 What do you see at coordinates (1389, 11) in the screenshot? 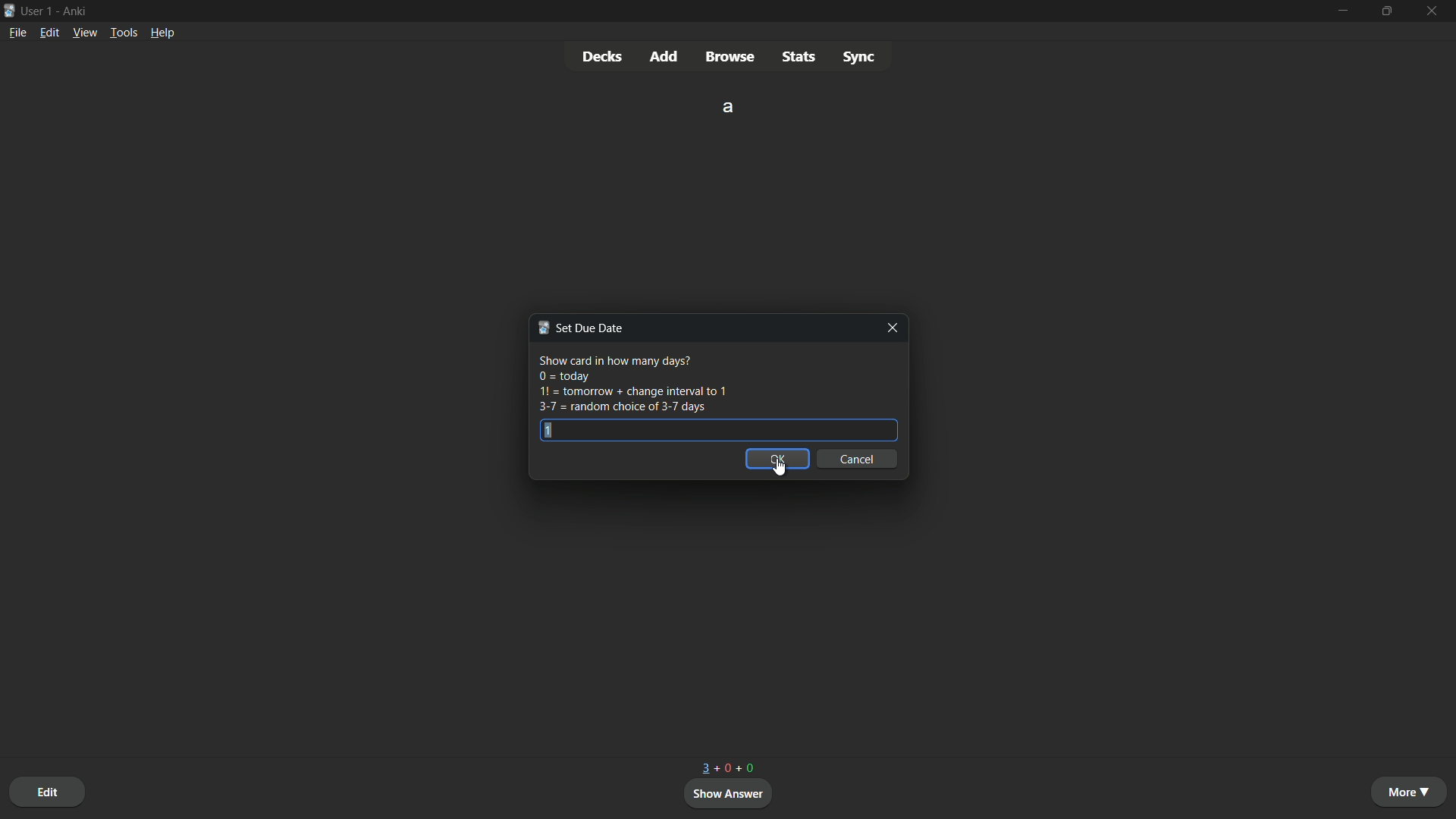
I see `maximize` at bounding box center [1389, 11].